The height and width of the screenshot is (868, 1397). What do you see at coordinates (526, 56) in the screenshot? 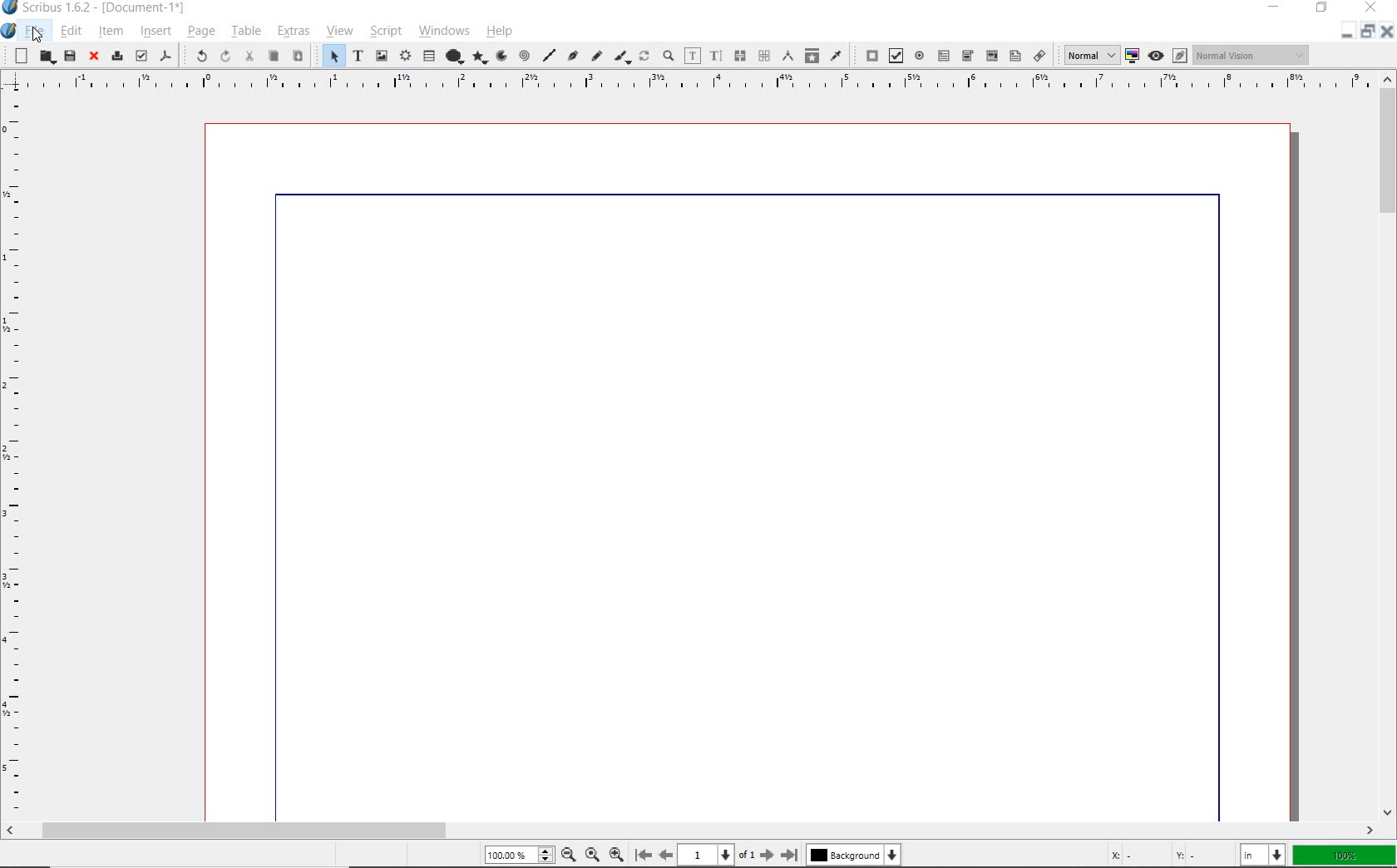
I see `spiral` at bounding box center [526, 56].